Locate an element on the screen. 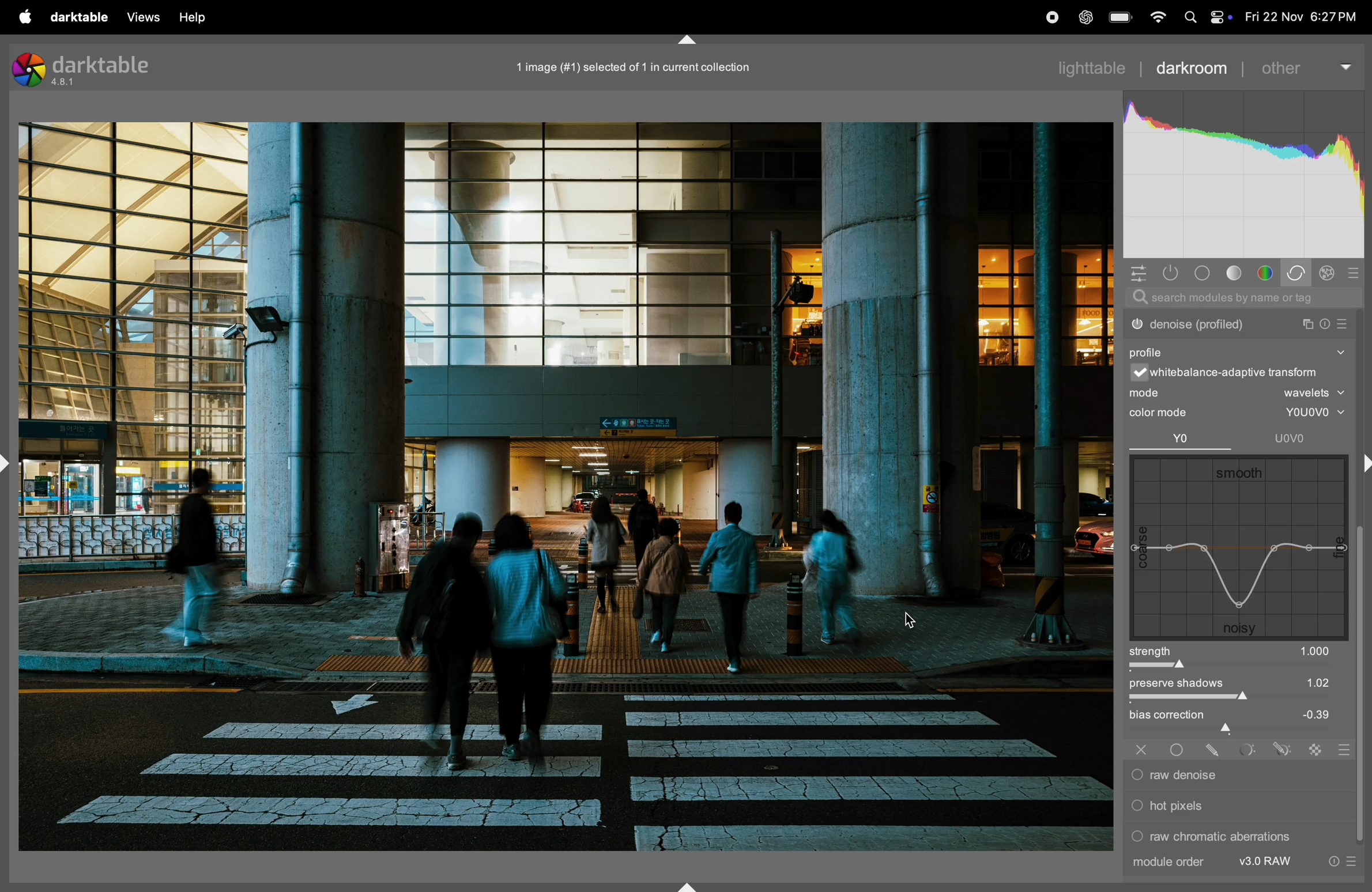 This screenshot has width=1372, height=892. chatgpt is located at coordinates (1087, 17).